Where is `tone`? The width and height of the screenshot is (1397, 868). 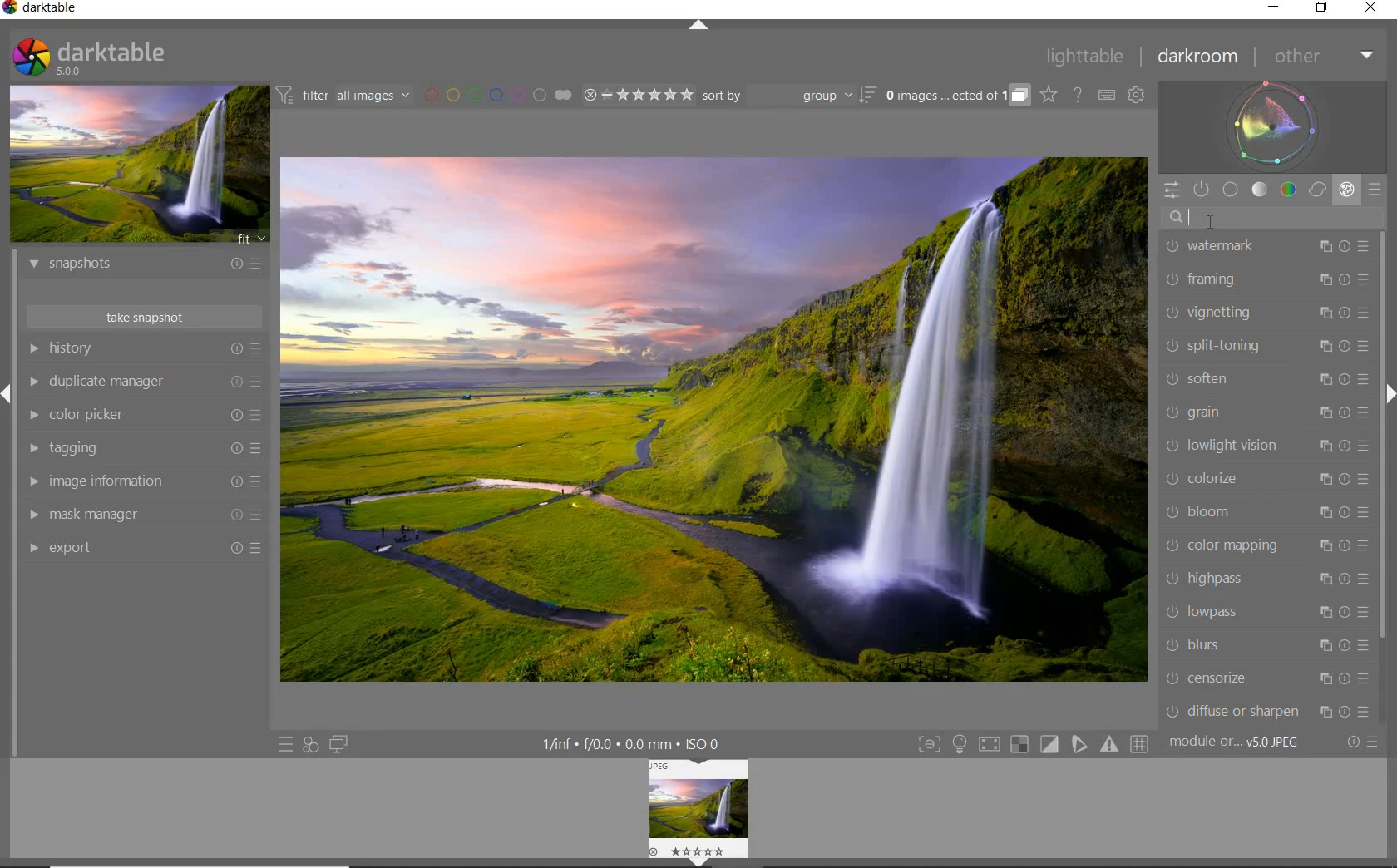
tone is located at coordinates (1260, 190).